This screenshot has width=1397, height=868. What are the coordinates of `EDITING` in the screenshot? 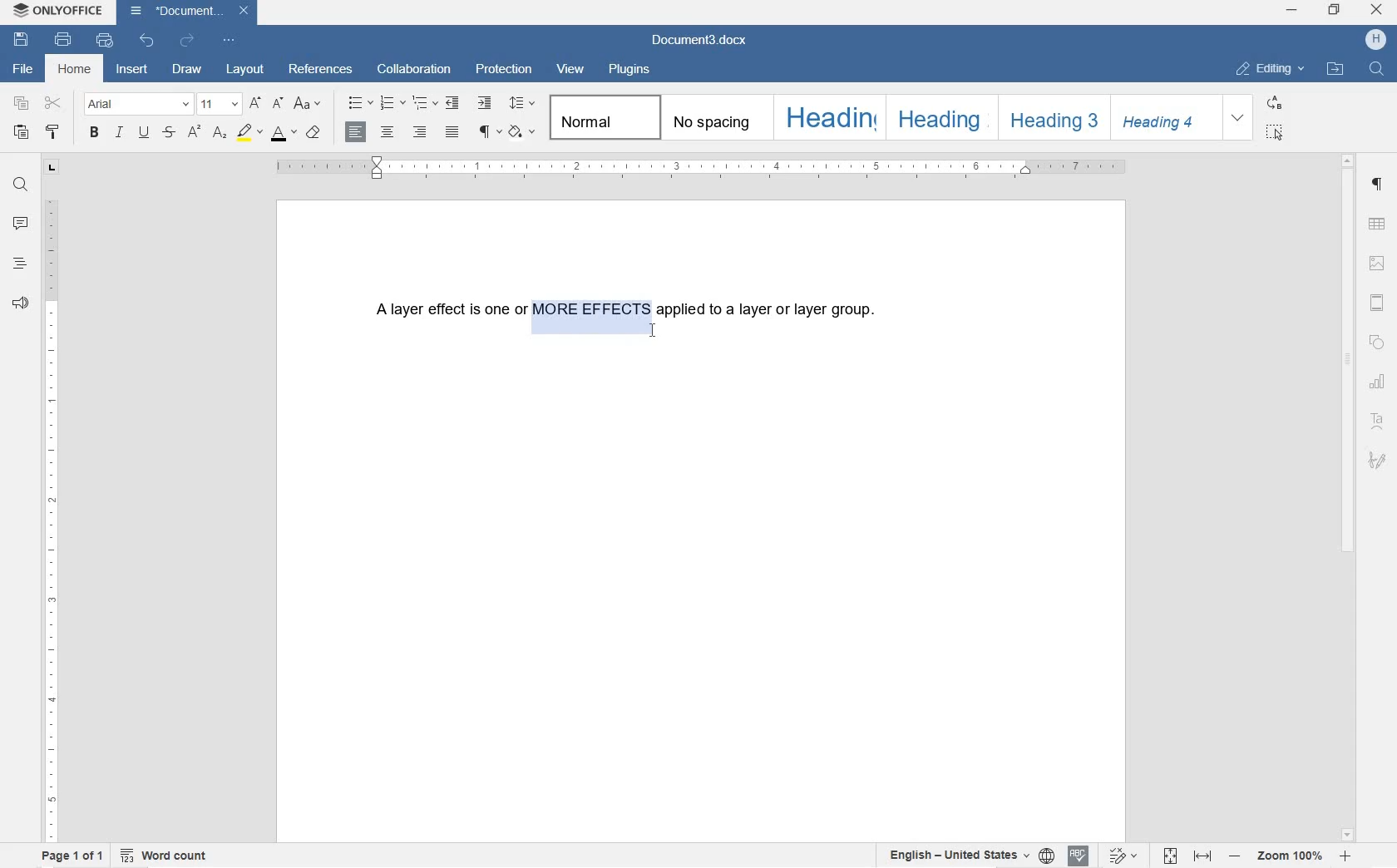 It's located at (1271, 65).